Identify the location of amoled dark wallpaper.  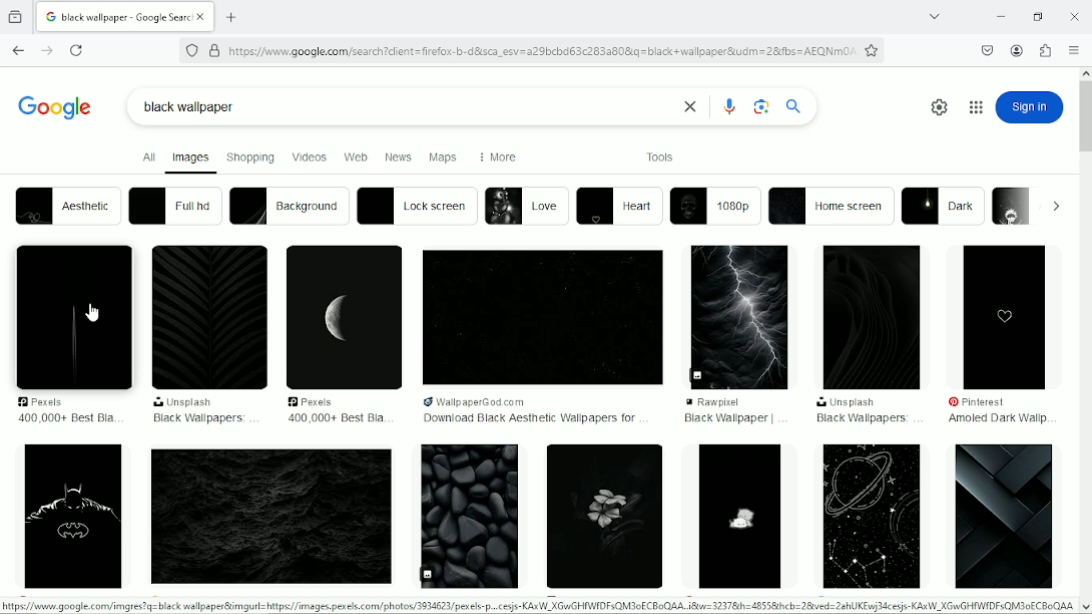
(996, 420).